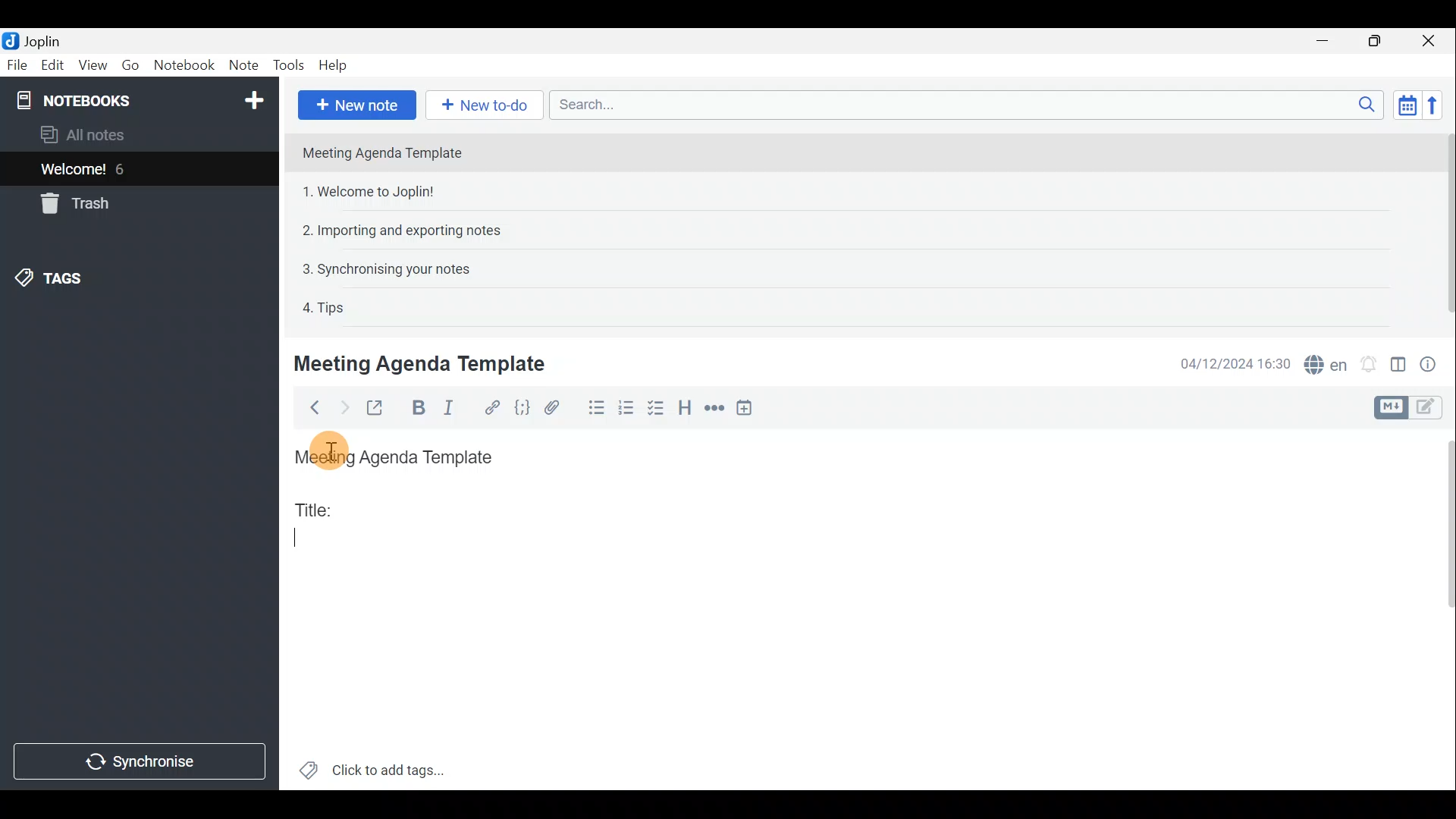 Image resolution: width=1456 pixels, height=819 pixels. What do you see at coordinates (456, 409) in the screenshot?
I see `Italic` at bounding box center [456, 409].